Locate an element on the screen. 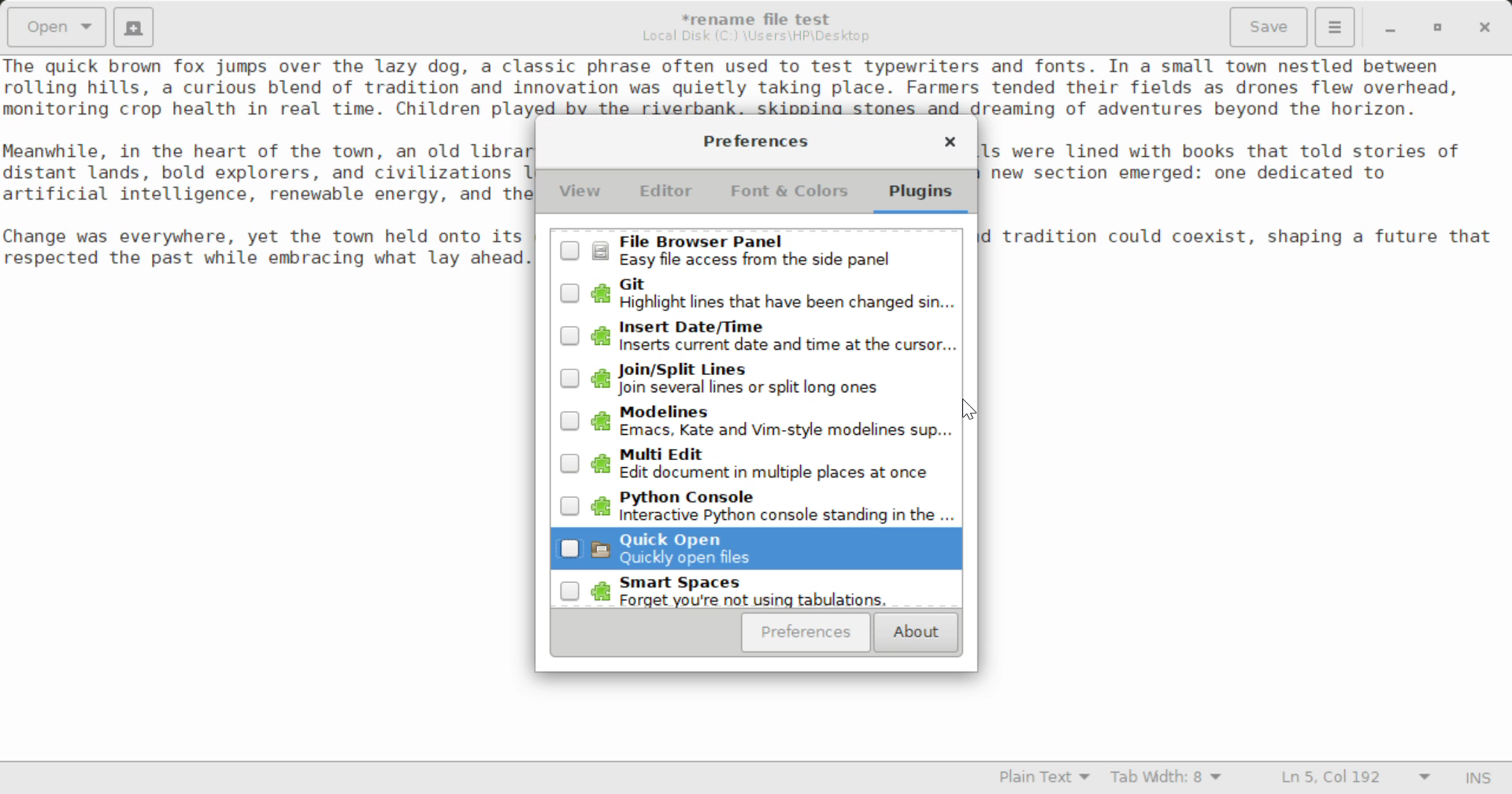  Python Console Plugin Button Unselected is located at coordinates (757, 507).